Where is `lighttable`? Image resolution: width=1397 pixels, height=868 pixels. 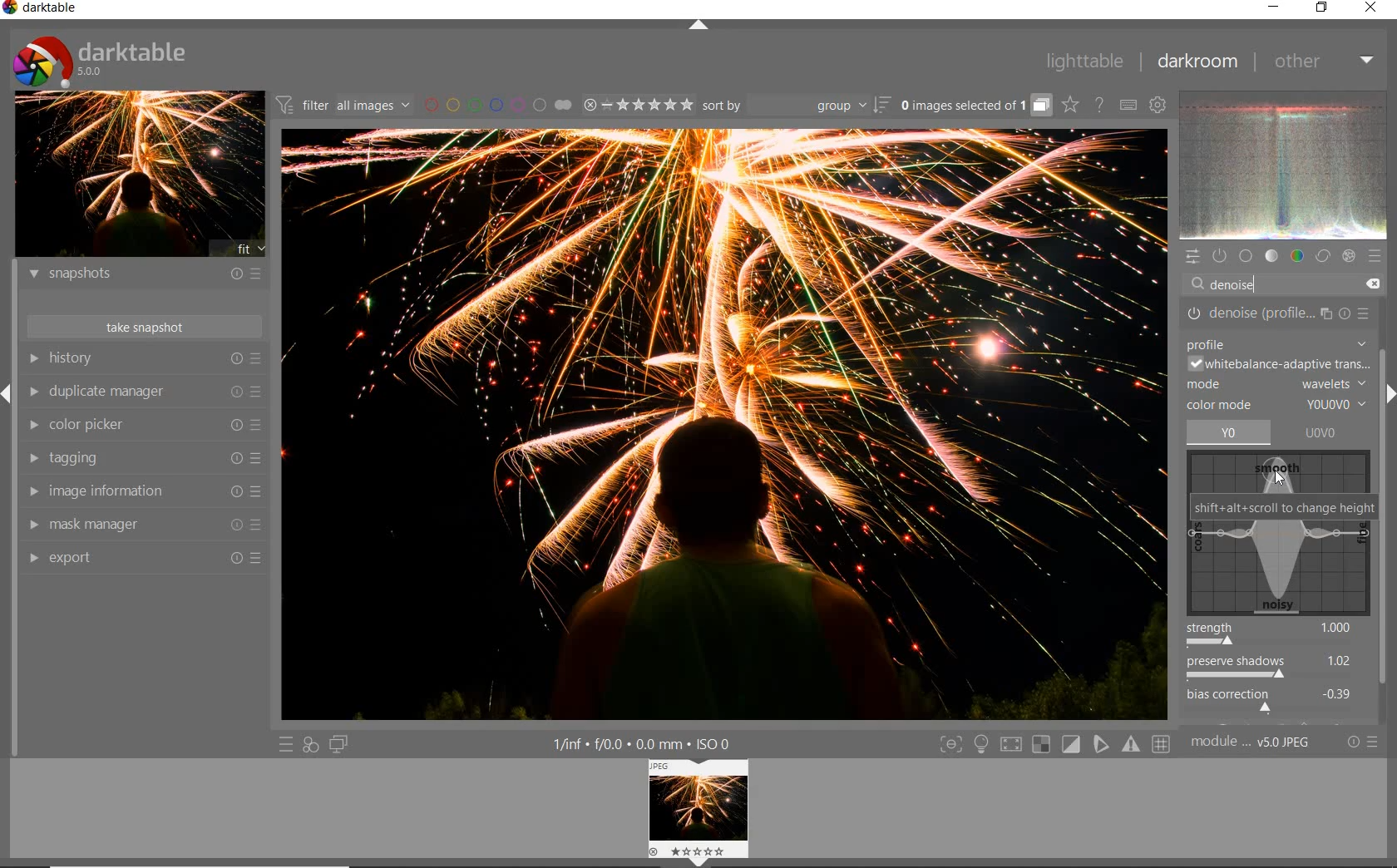
lighttable is located at coordinates (1082, 60).